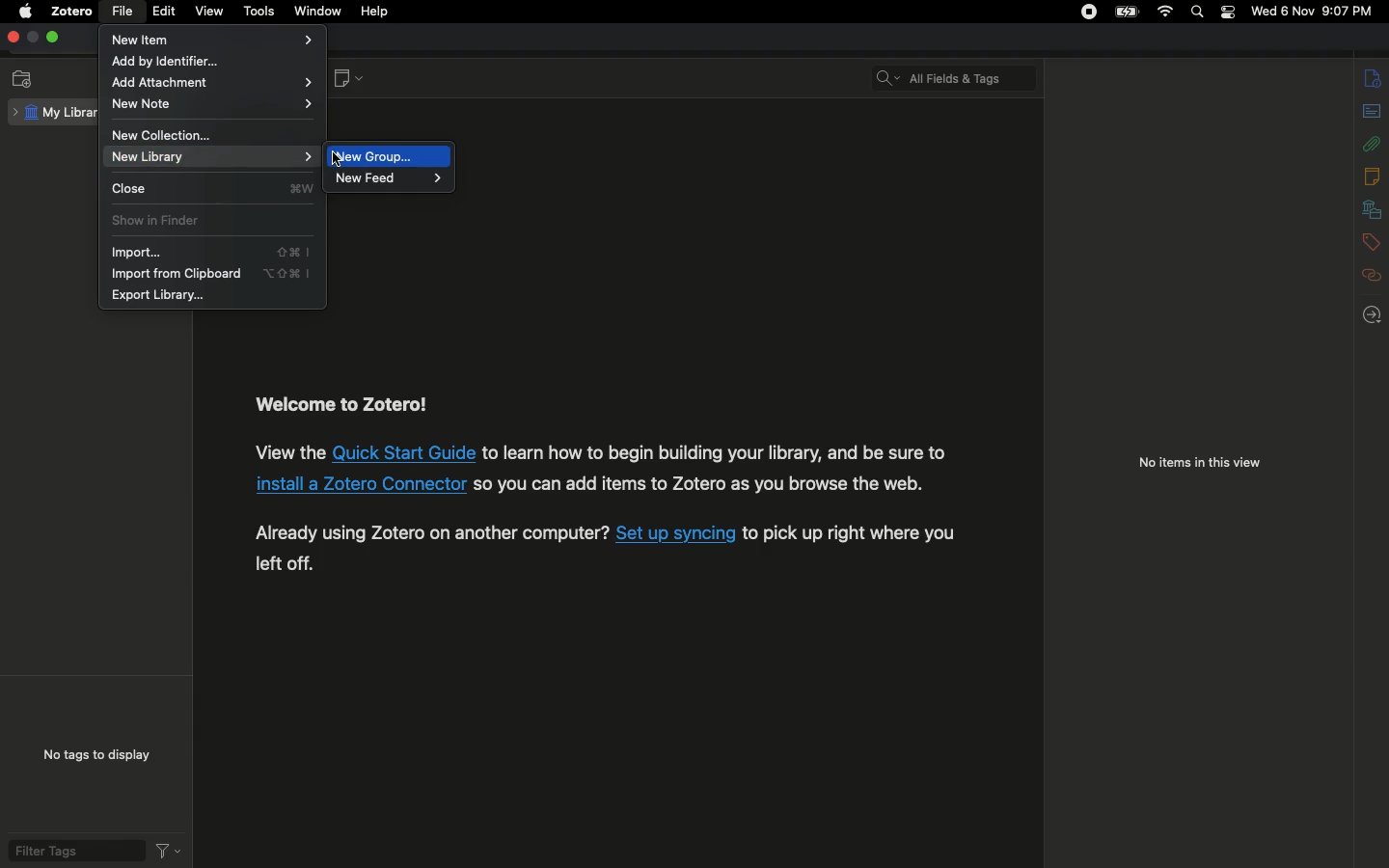 Image resolution: width=1389 pixels, height=868 pixels. I want to click on Help, so click(377, 12).